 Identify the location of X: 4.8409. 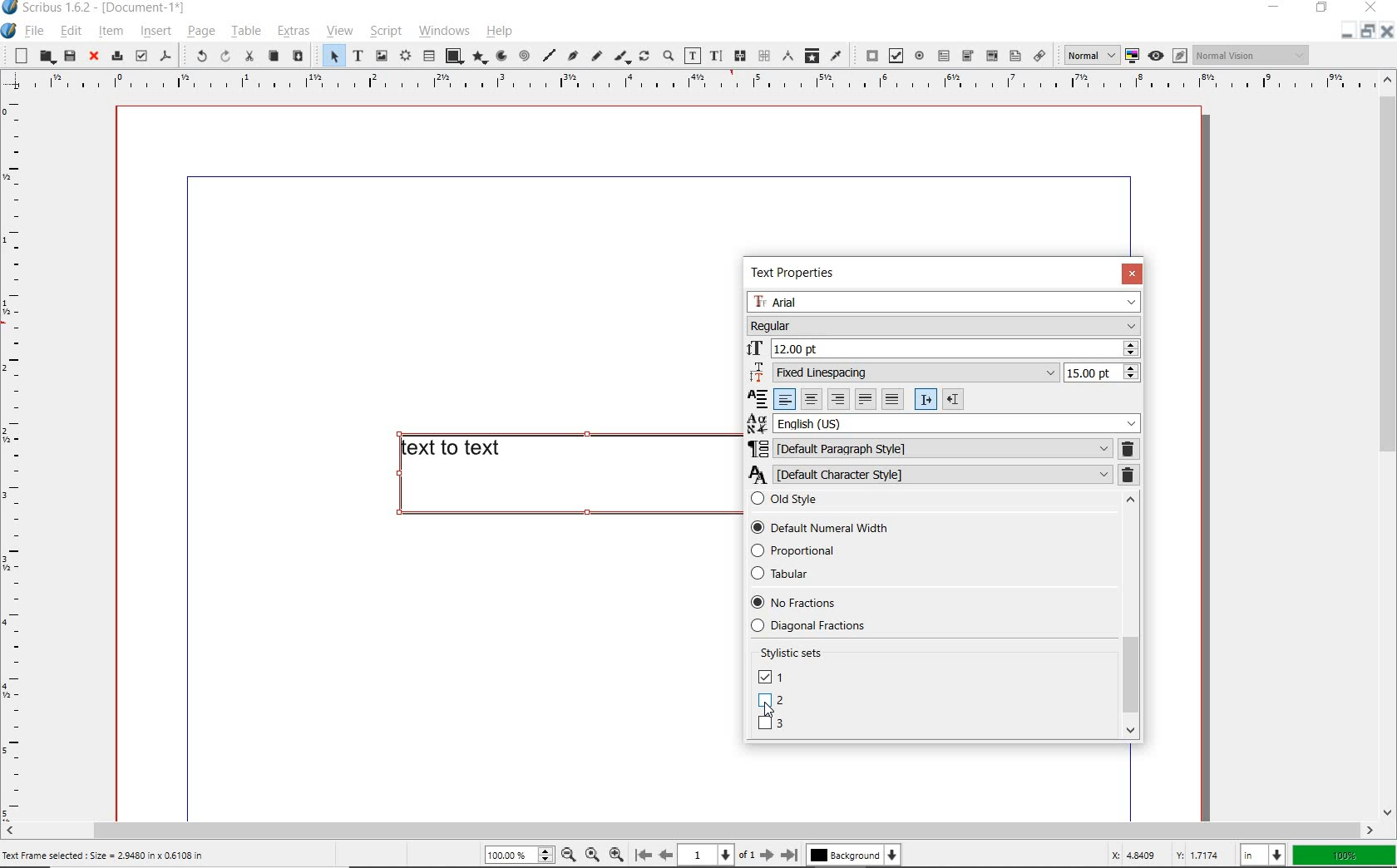
(1137, 855).